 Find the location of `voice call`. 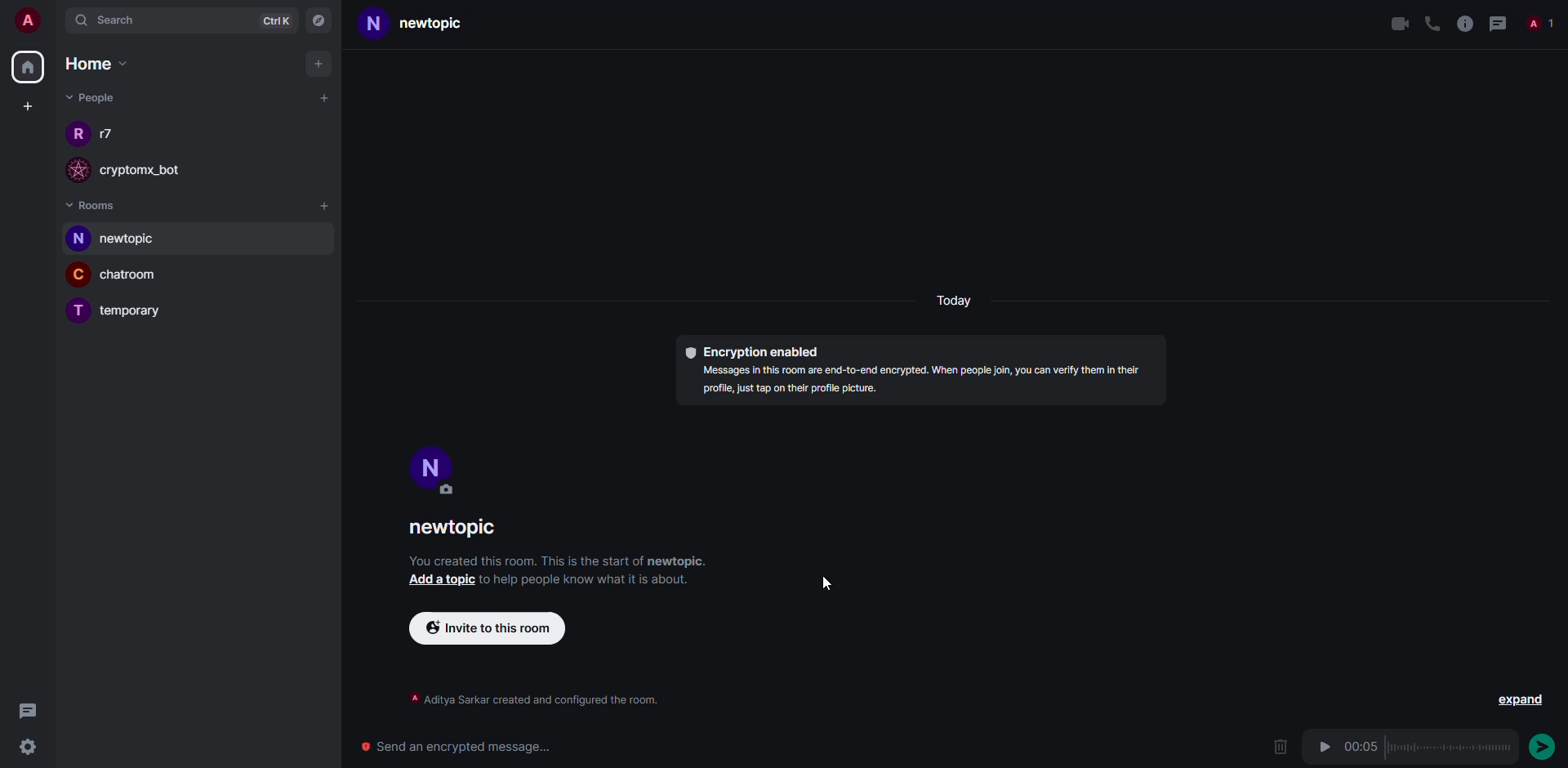

voice call is located at coordinates (1429, 23).